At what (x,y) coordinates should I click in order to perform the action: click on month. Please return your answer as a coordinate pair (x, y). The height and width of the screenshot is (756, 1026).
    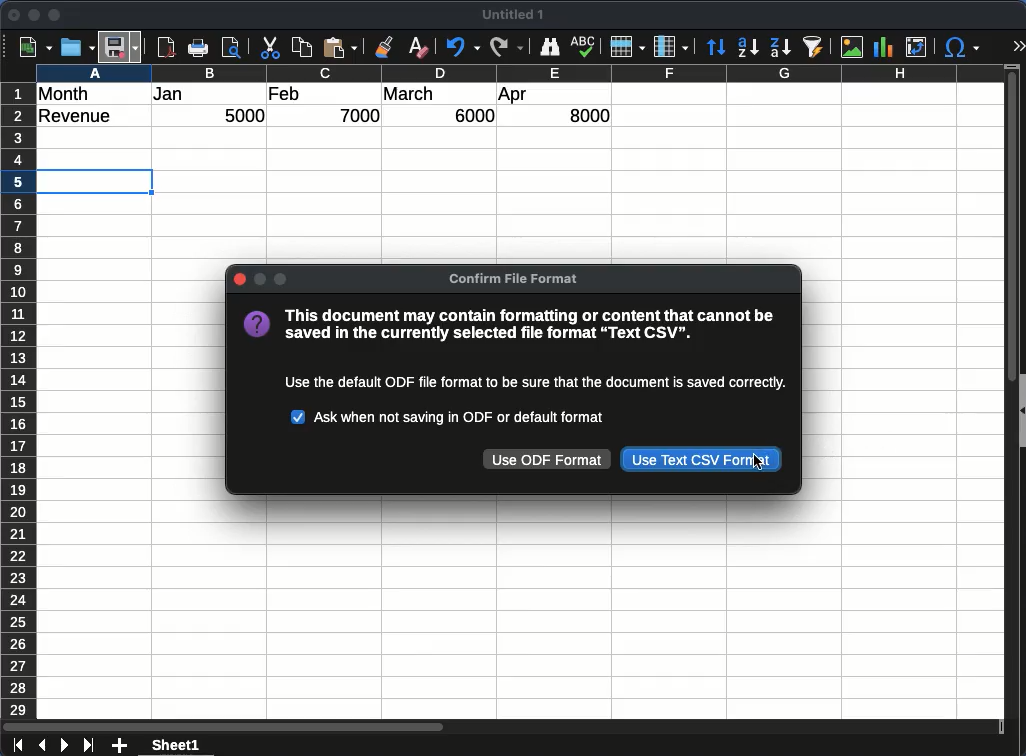
    Looking at the image, I should click on (68, 93).